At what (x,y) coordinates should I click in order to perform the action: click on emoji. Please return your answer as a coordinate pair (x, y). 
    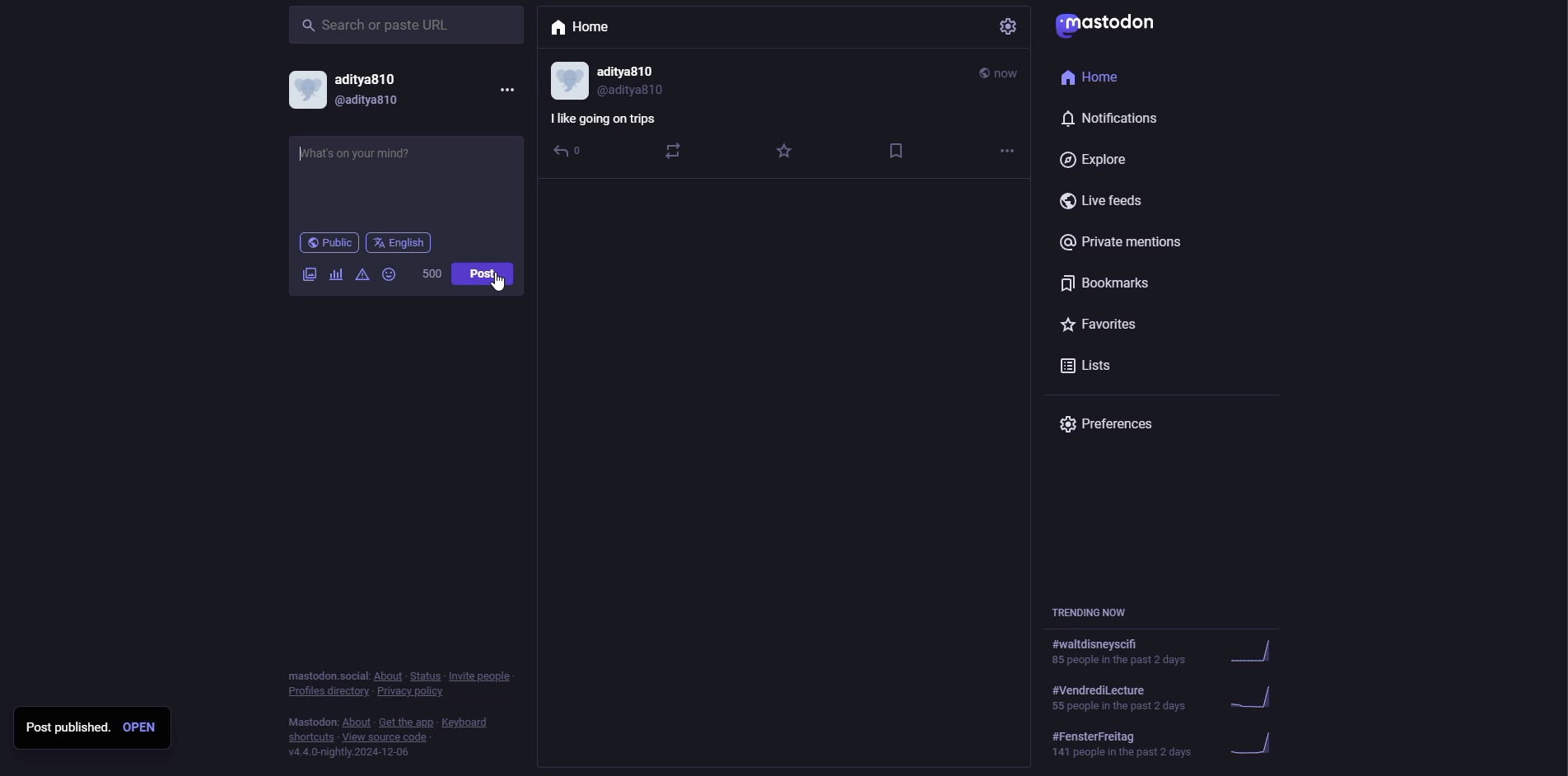
    Looking at the image, I should click on (390, 273).